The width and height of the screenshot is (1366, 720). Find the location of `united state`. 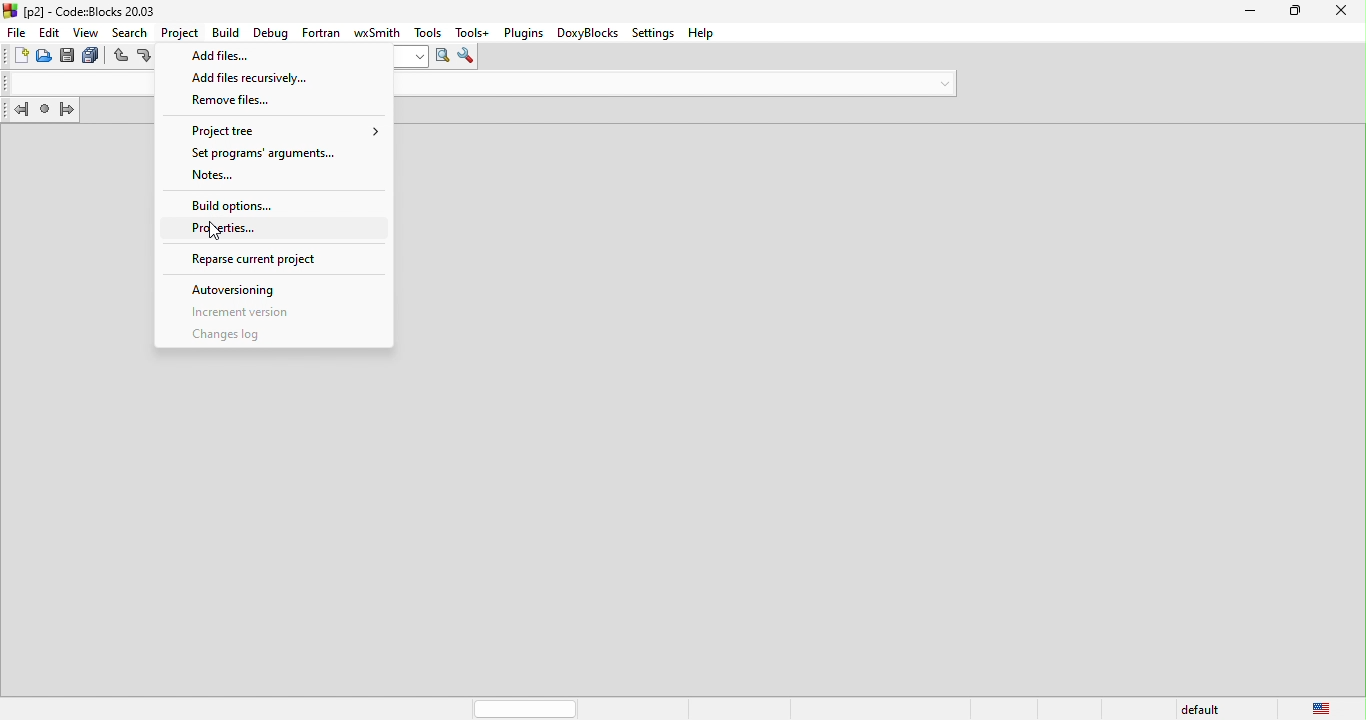

united state is located at coordinates (1323, 709).